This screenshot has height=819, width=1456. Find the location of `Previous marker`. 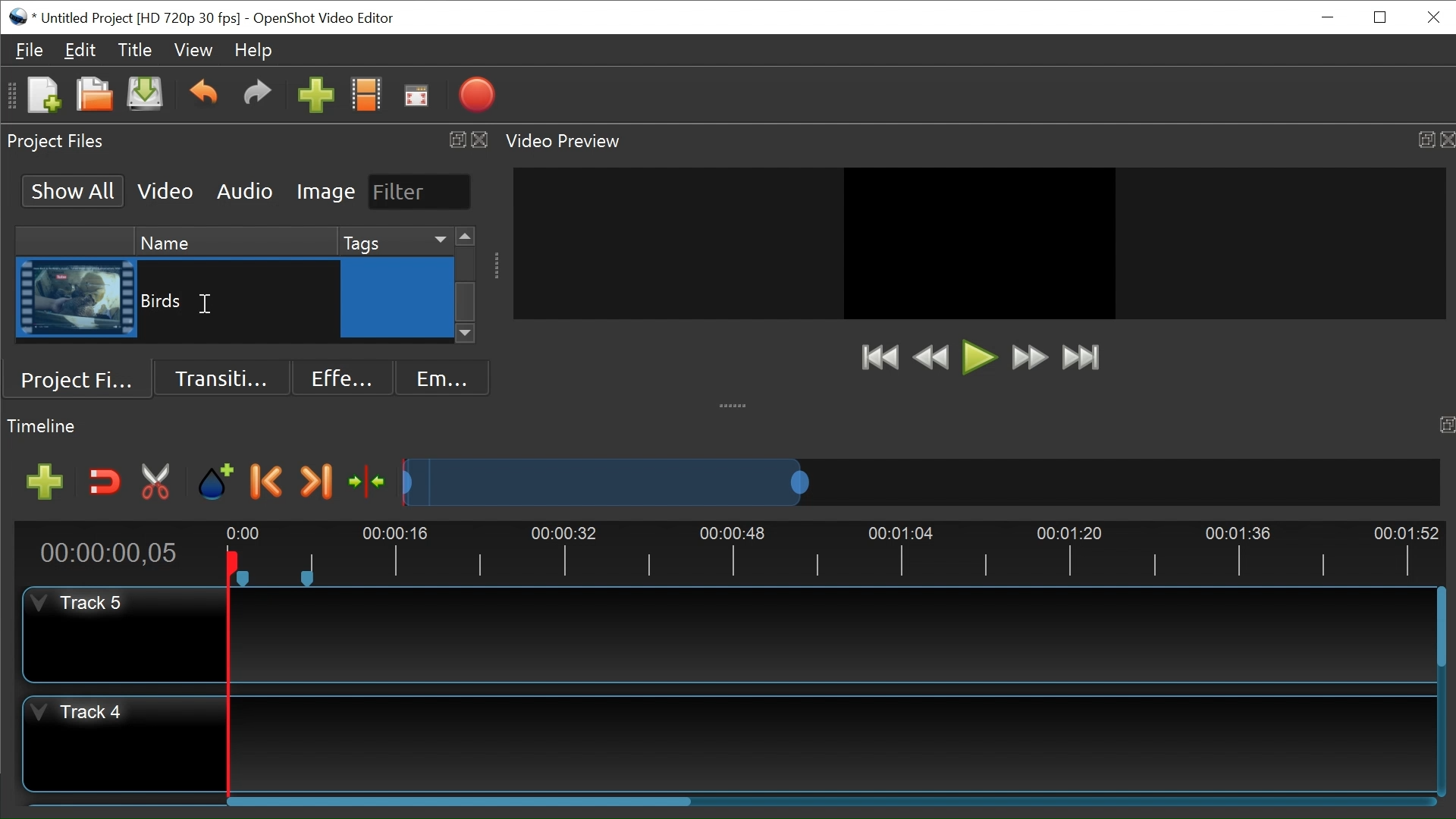

Previous marker is located at coordinates (269, 484).